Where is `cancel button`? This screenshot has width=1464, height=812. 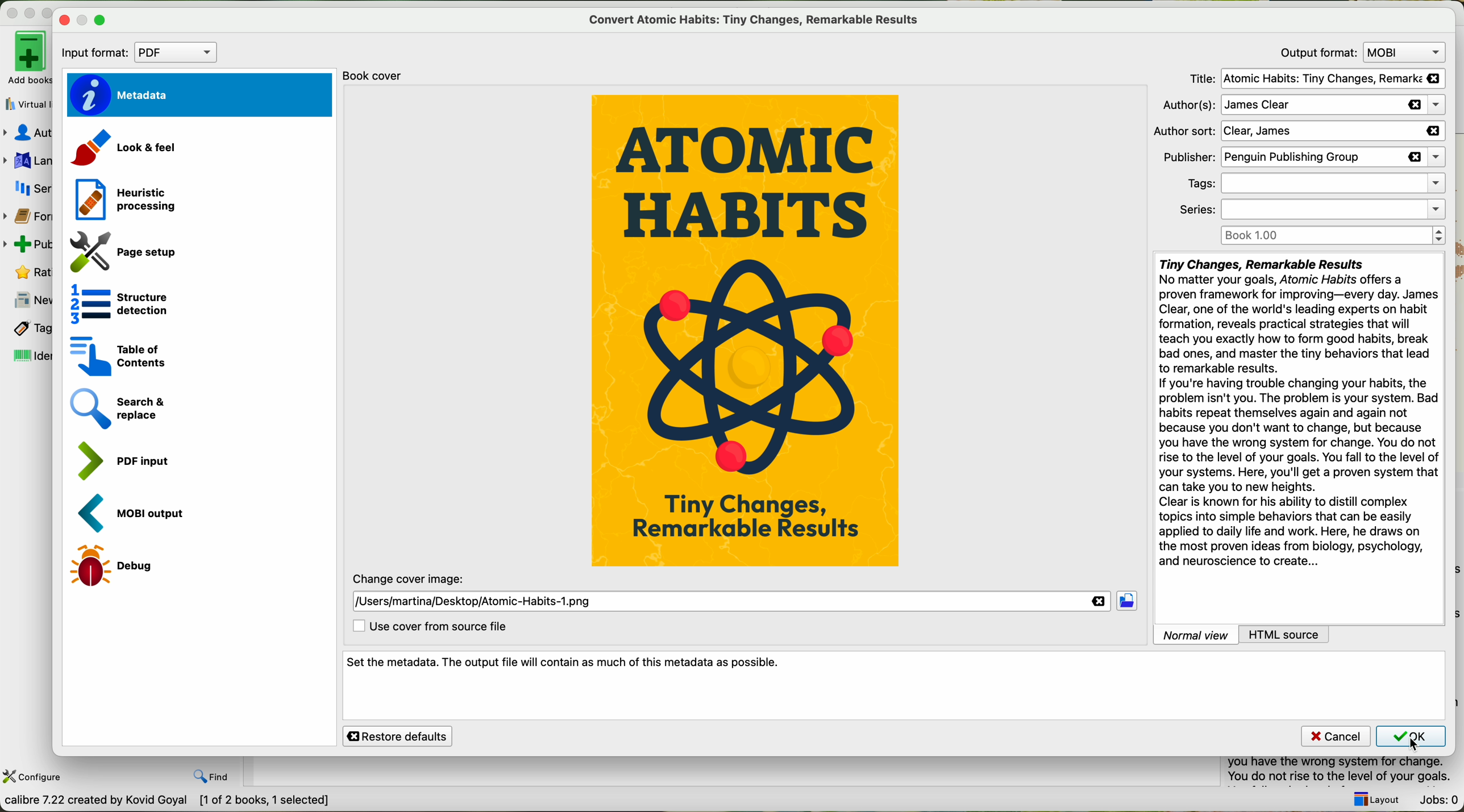 cancel button is located at coordinates (1335, 736).